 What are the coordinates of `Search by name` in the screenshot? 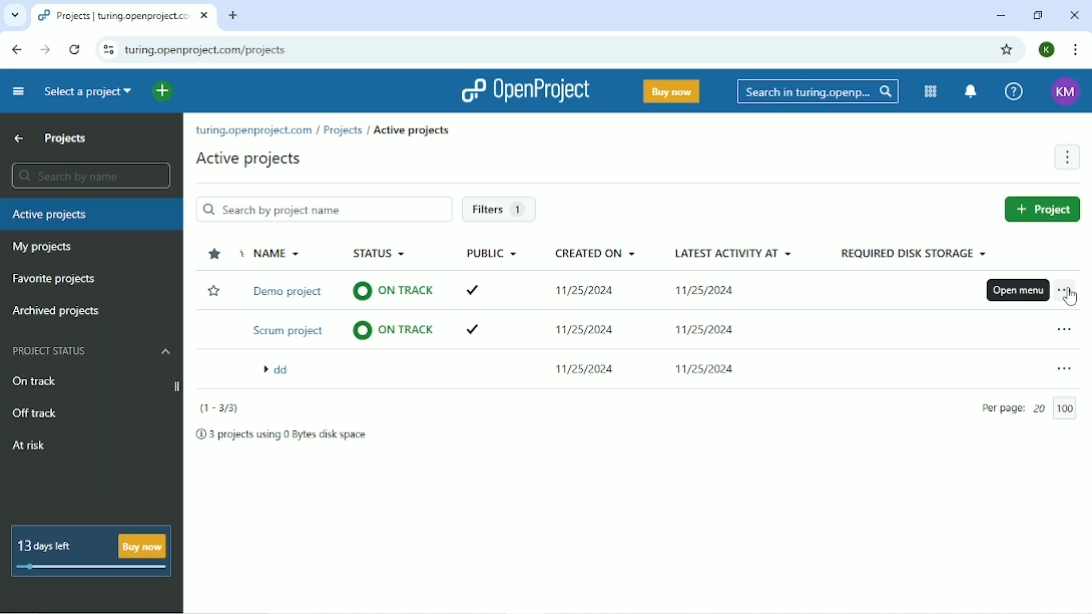 It's located at (89, 176).